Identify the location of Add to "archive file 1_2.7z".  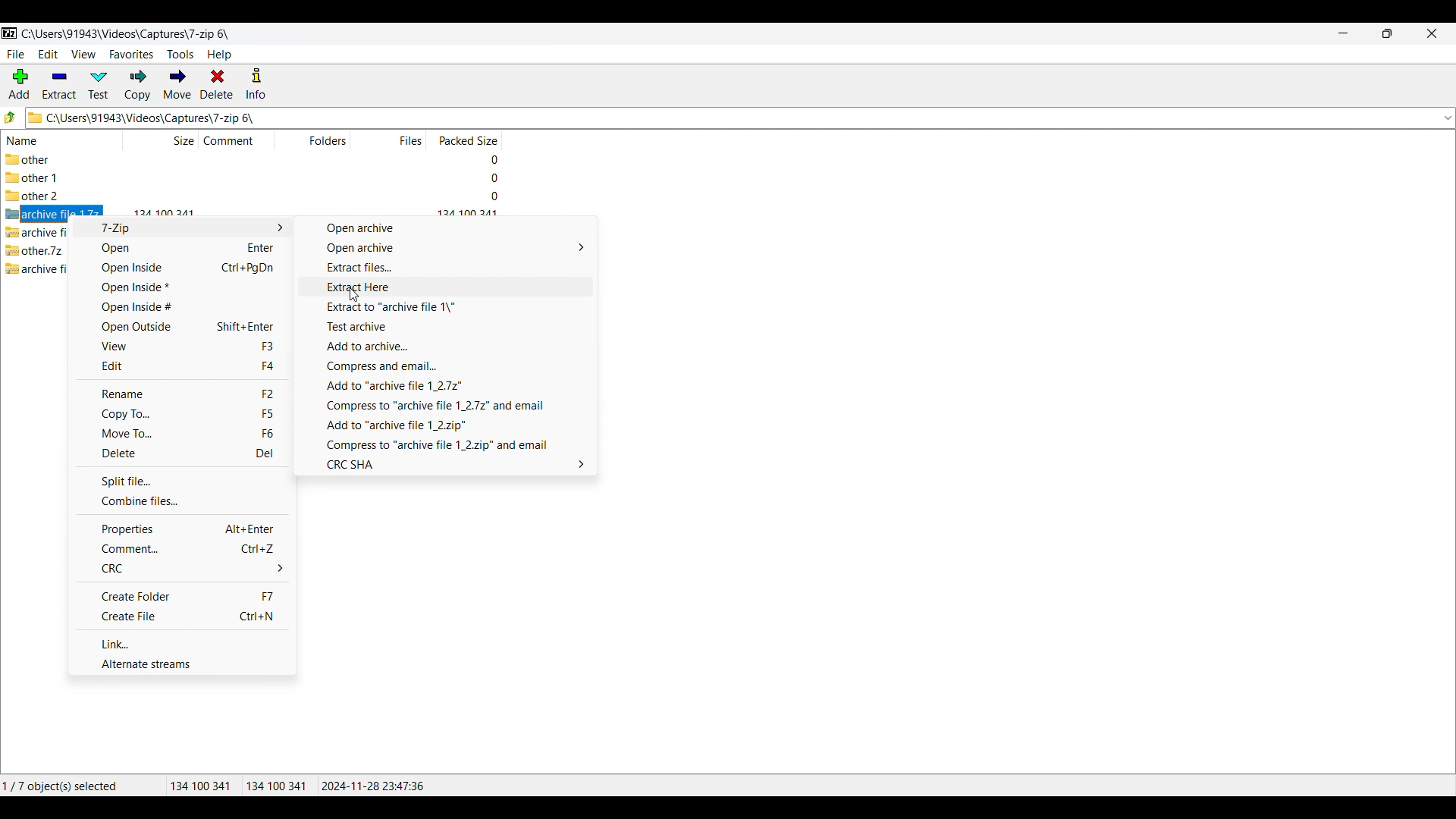
(450, 386).